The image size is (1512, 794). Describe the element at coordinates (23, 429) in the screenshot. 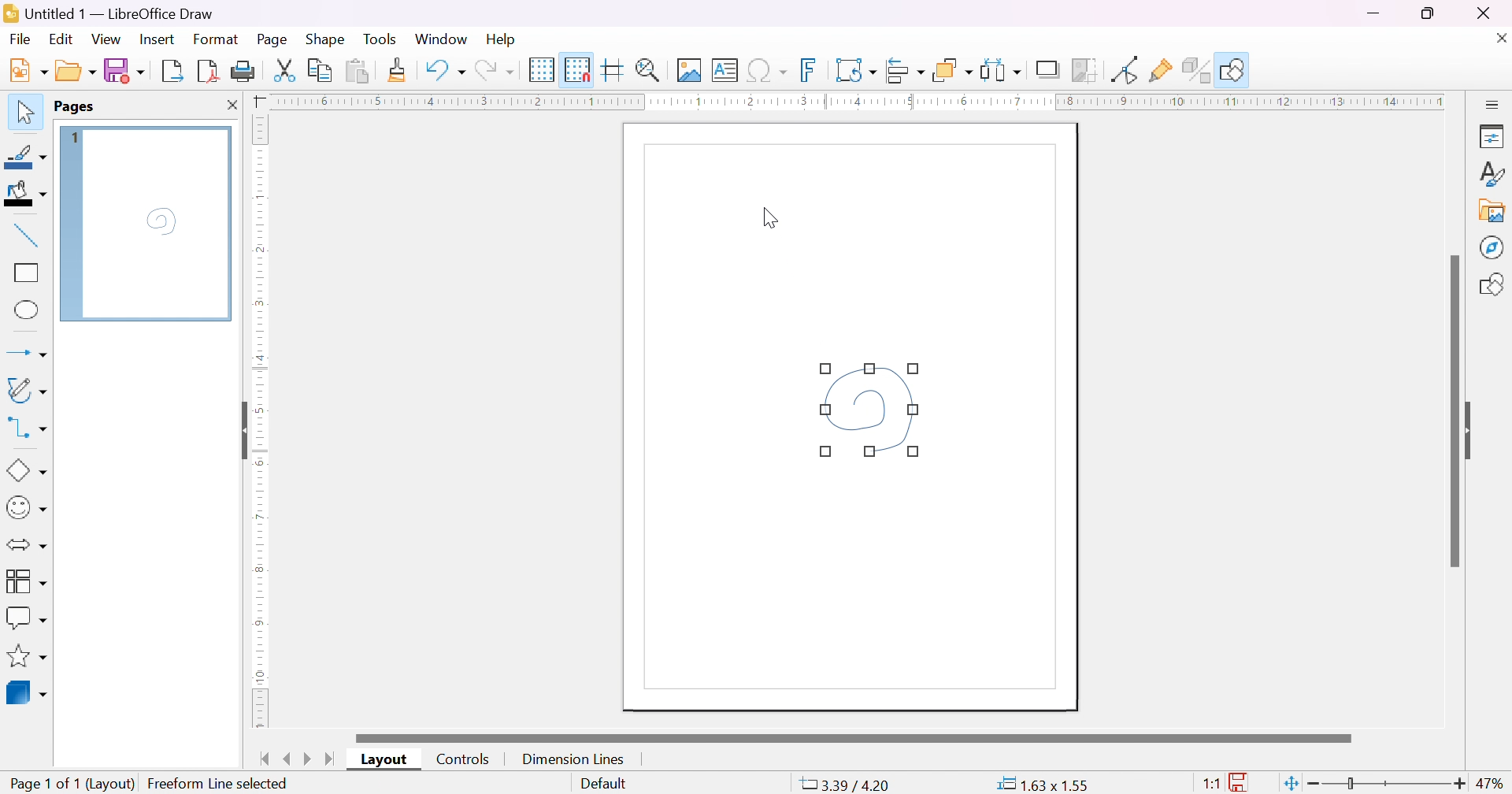

I see `connectors` at that location.